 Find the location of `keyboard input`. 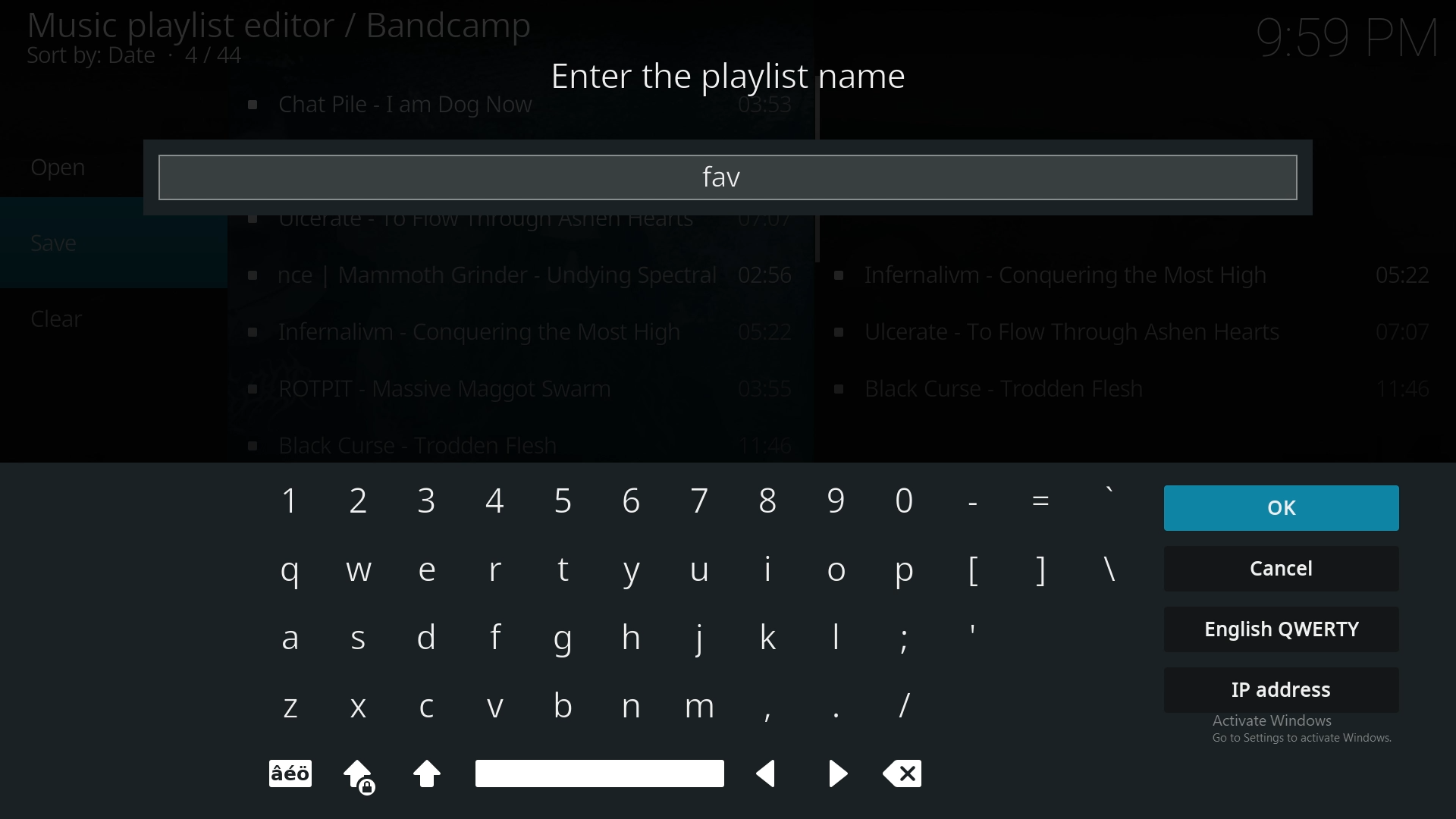

keyboard input is located at coordinates (905, 639).